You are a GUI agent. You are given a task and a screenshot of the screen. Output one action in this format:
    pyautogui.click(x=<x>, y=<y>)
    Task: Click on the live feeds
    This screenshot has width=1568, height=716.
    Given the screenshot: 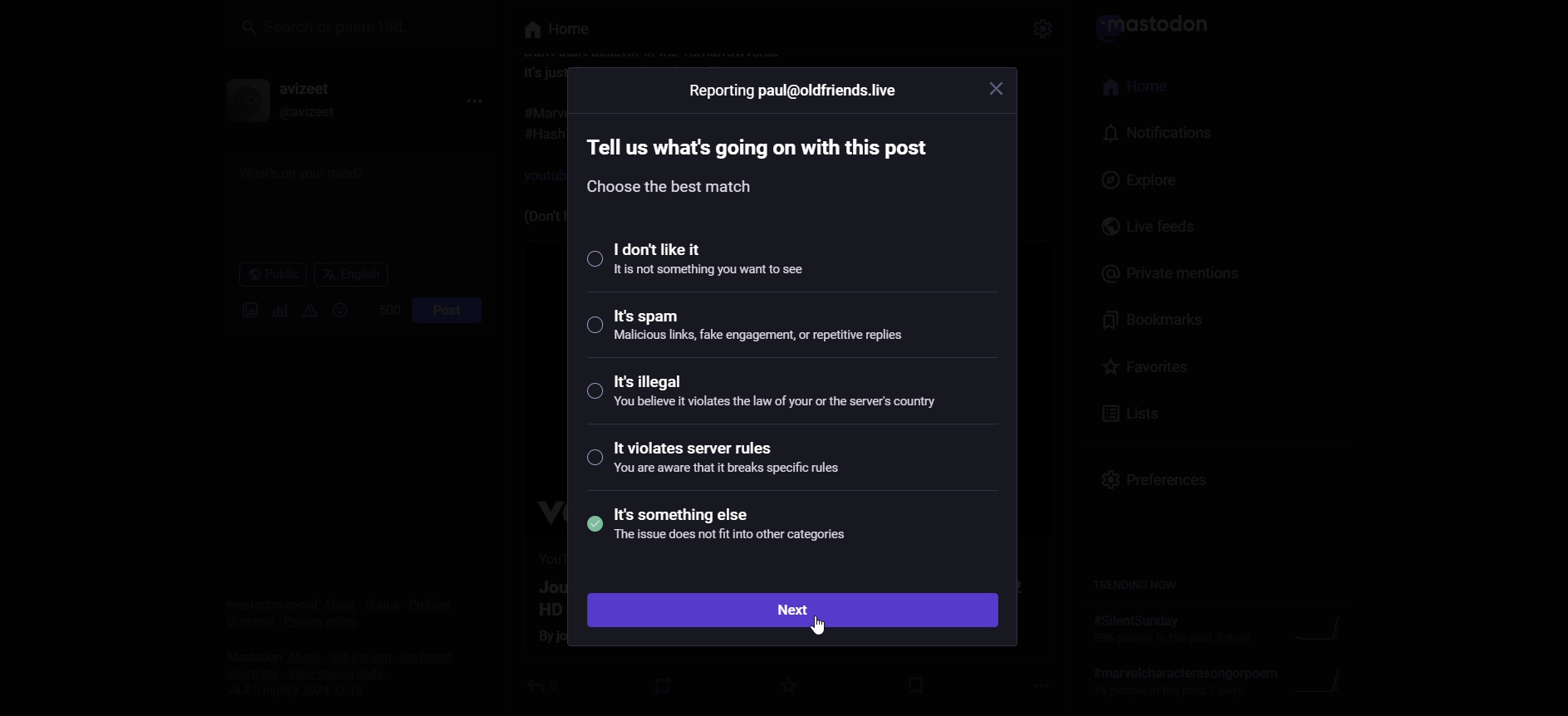 What is the action you would take?
    pyautogui.click(x=1154, y=228)
    